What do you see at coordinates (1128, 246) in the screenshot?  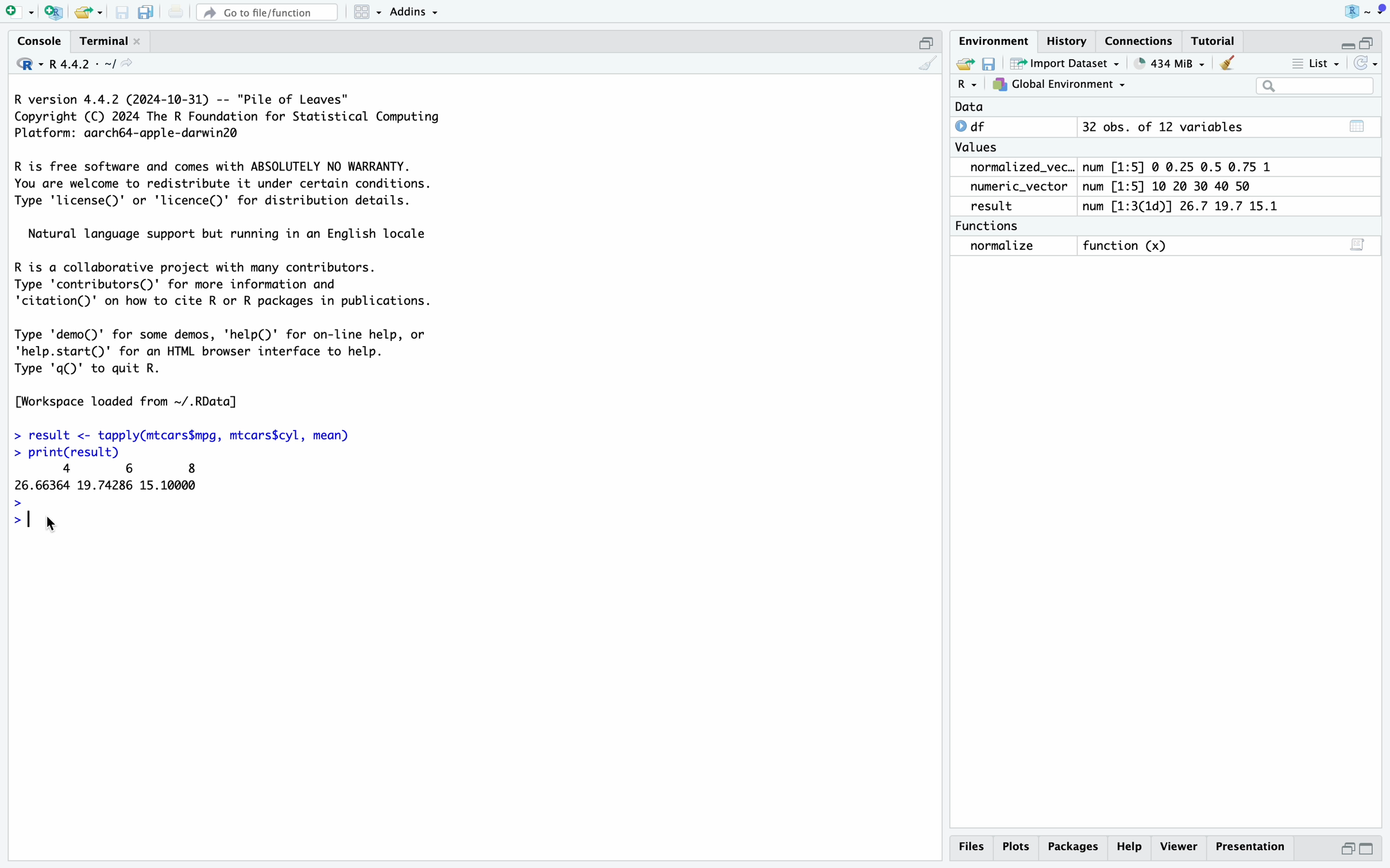 I see `function (x)` at bounding box center [1128, 246].